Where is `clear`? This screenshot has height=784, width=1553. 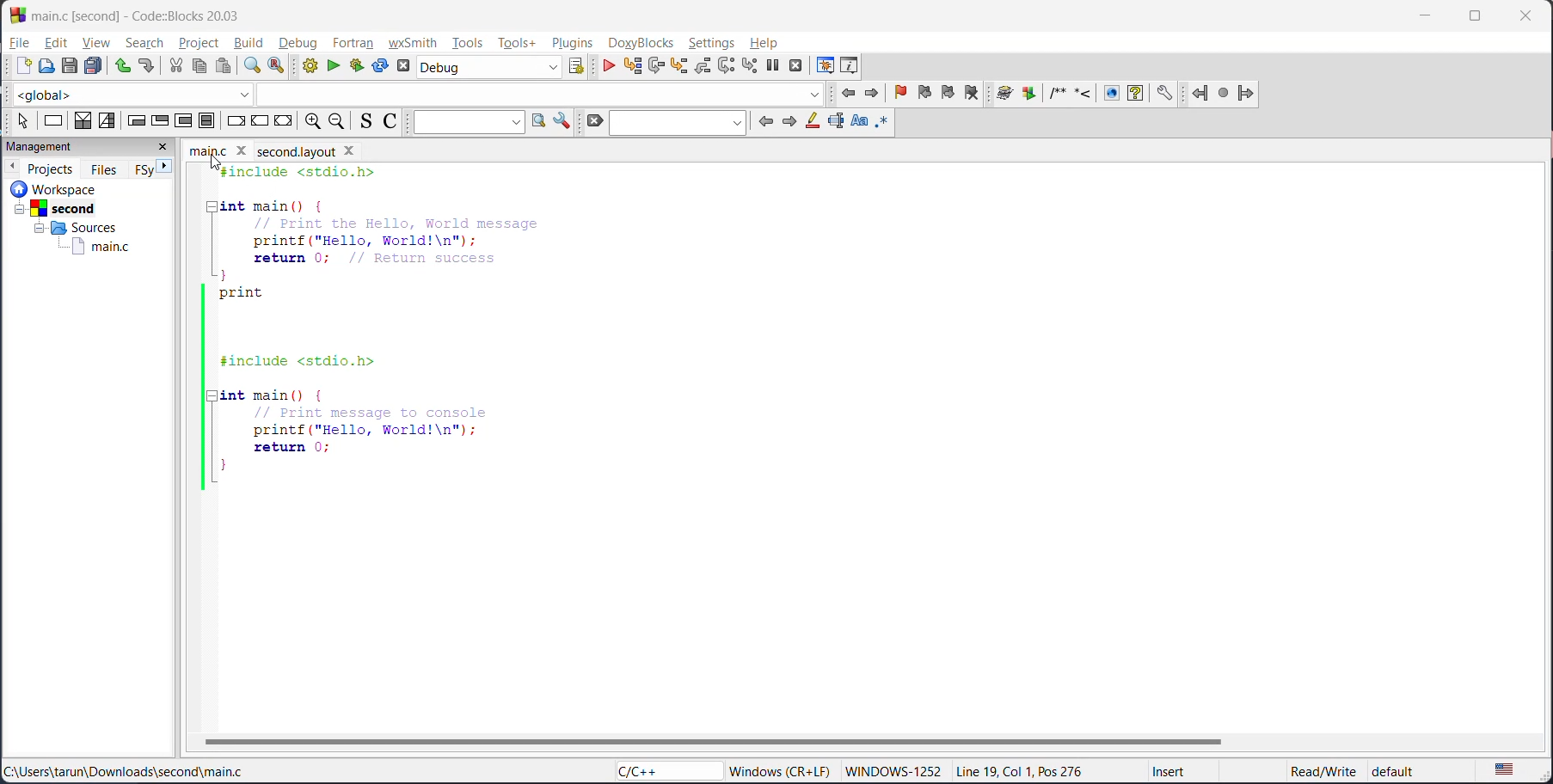 clear is located at coordinates (592, 121).